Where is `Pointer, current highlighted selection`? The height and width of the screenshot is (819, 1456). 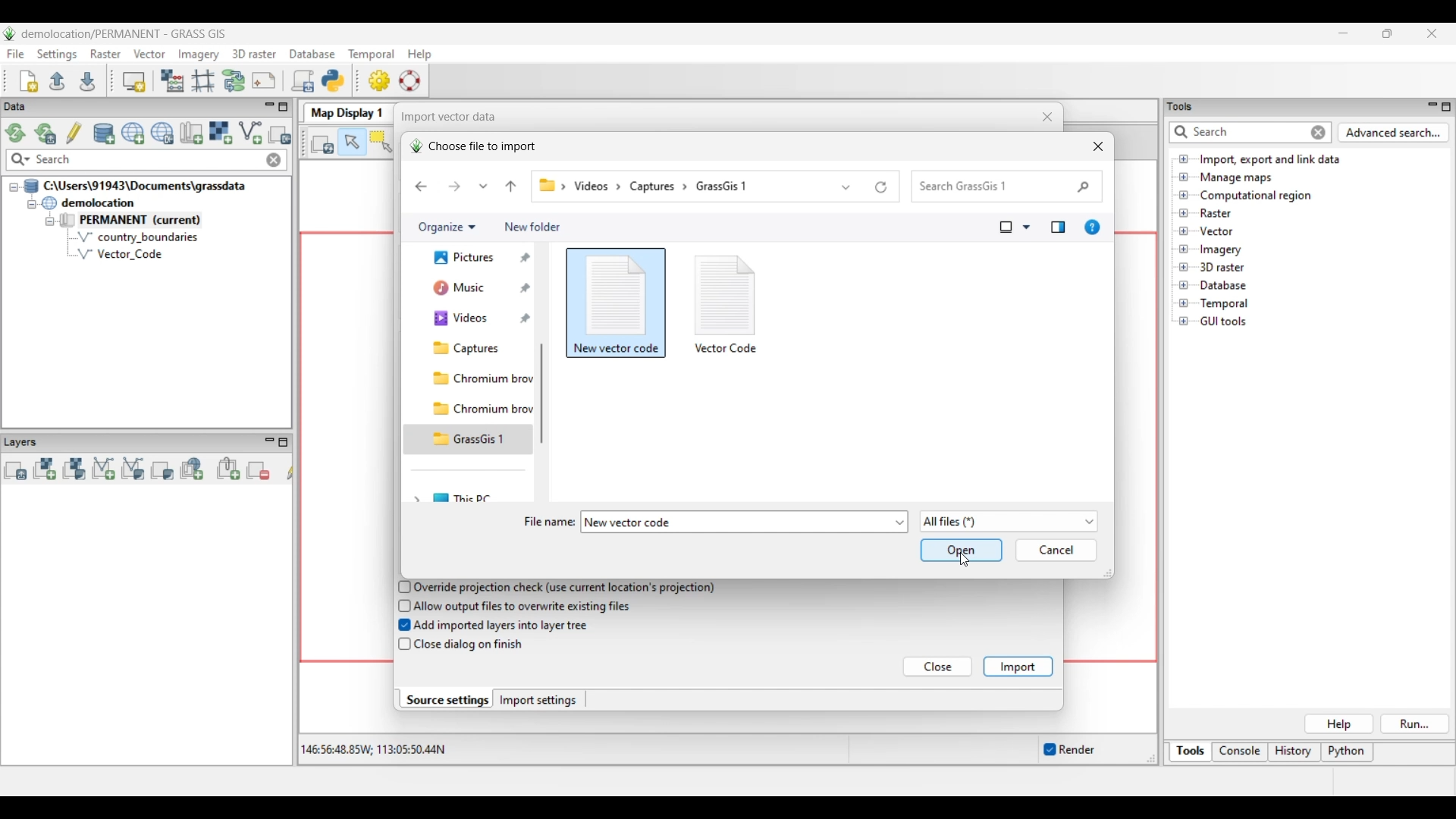
Pointer, current highlighted selection is located at coordinates (352, 143).